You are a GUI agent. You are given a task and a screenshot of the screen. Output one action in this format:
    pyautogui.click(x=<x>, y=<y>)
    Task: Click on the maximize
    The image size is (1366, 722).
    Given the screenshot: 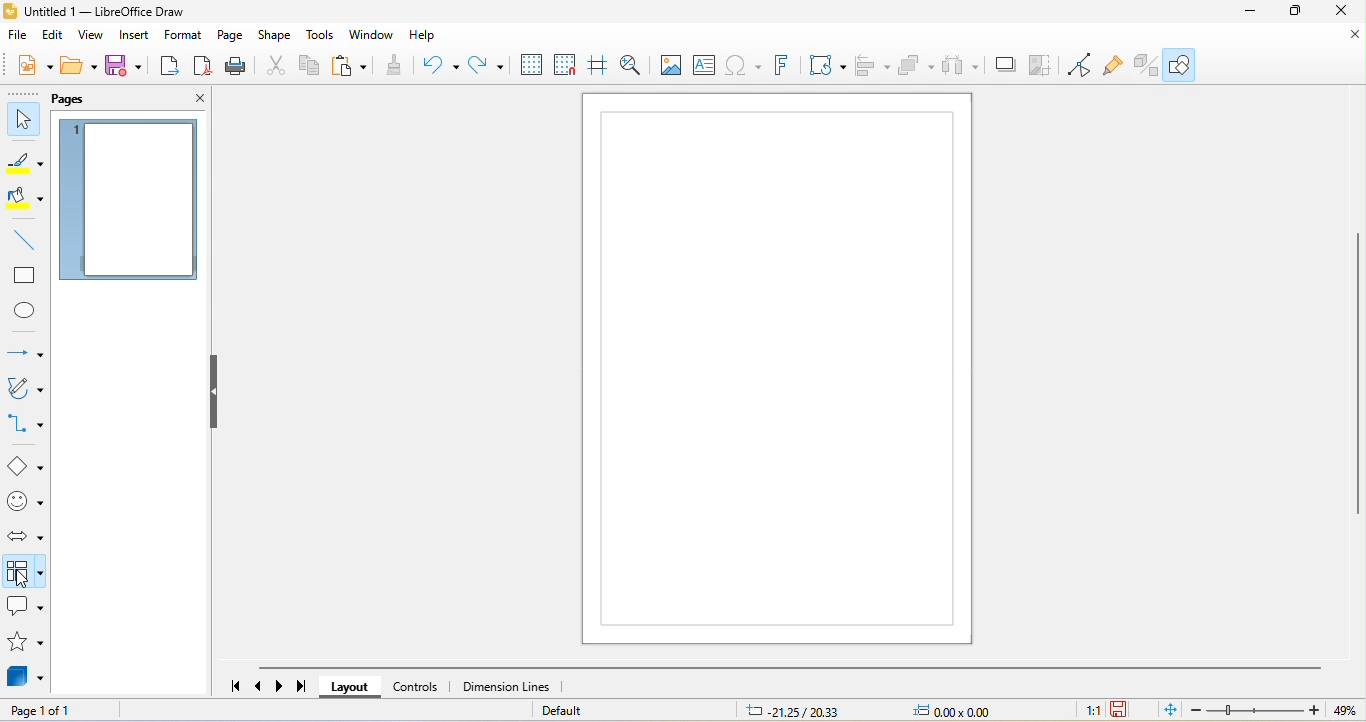 What is the action you would take?
    pyautogui.click(x=1298, y=14)
    